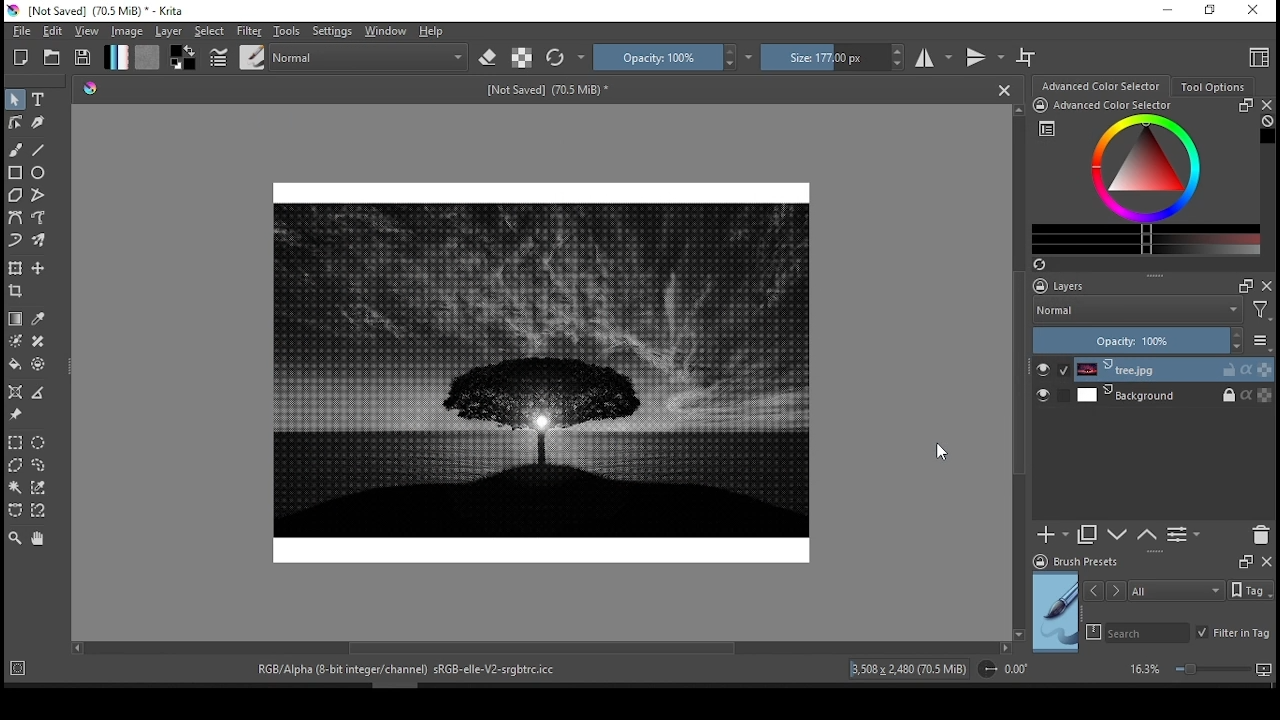 Image resolution: width=1280 pixels, height=720 pixels. What do you see at coordinates (16, 149) in the screenshot?
I see `paint brush tool` at bounding box center [16, 149].